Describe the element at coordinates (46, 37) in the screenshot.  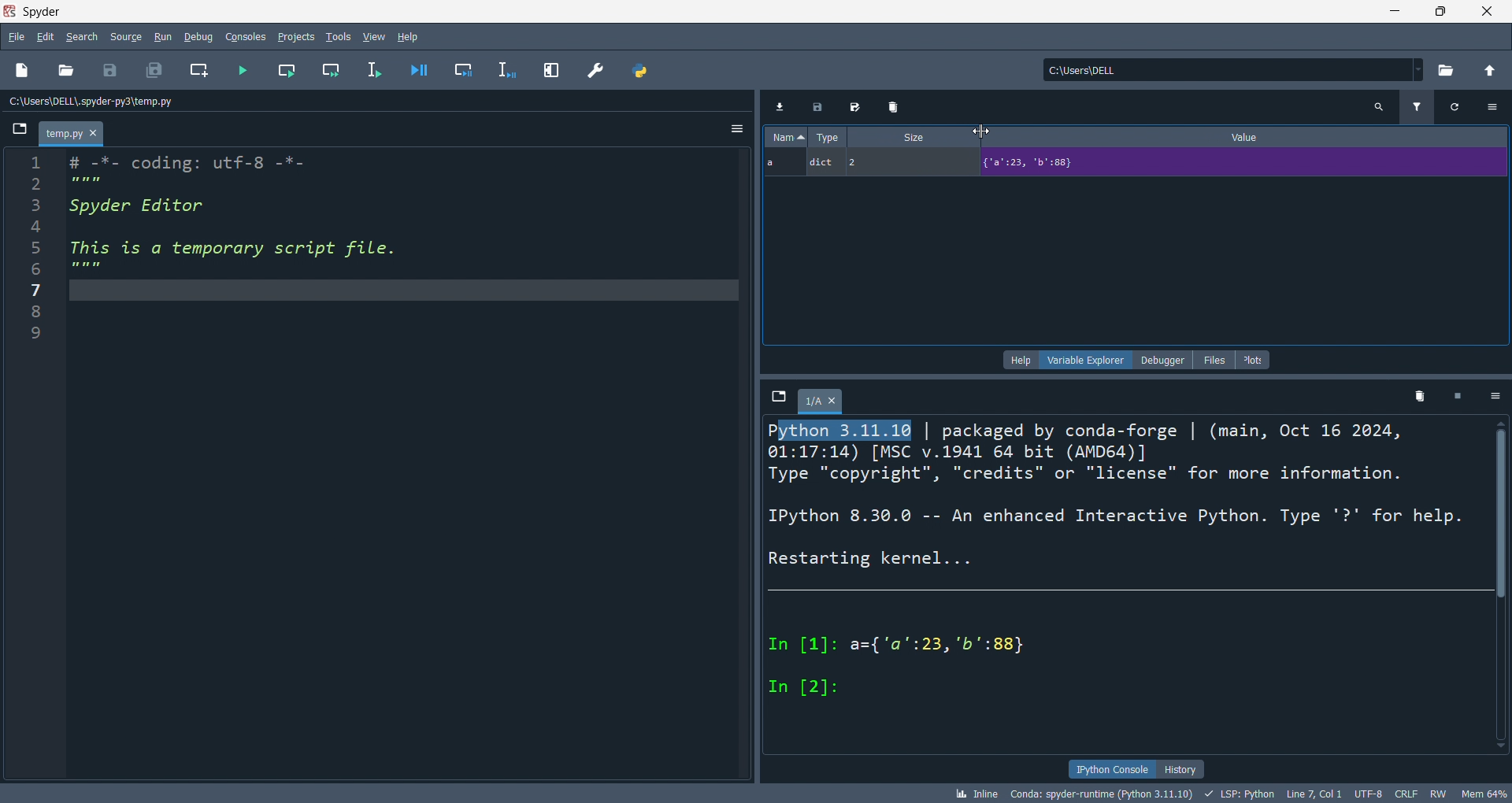
I see `edti` at that location.